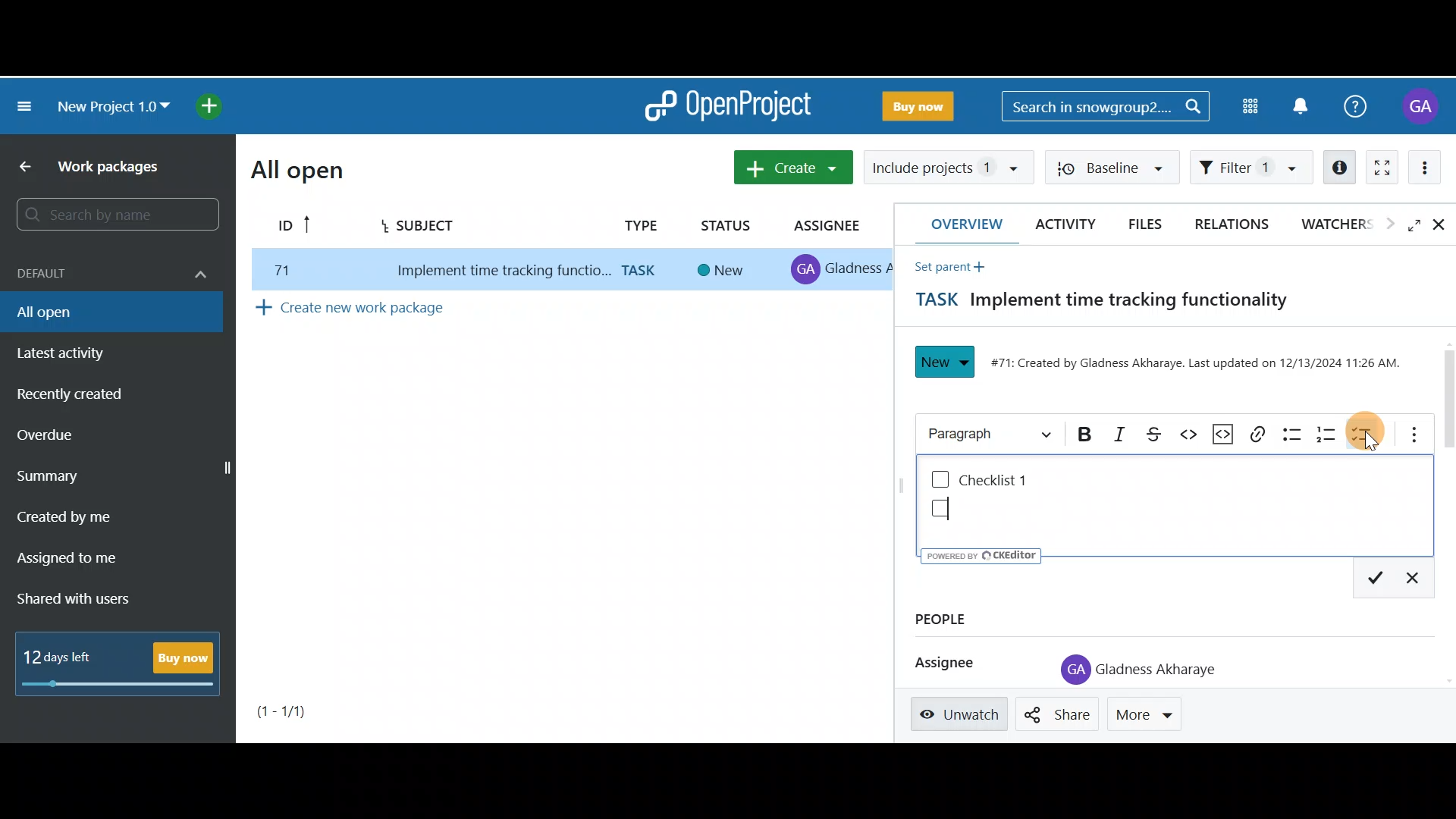 Image resolution: width=1456 pixels, height=819 pixels. Describe the element at coordinates (1442, 226) in the screenshot. I see `Close details view` at that location.